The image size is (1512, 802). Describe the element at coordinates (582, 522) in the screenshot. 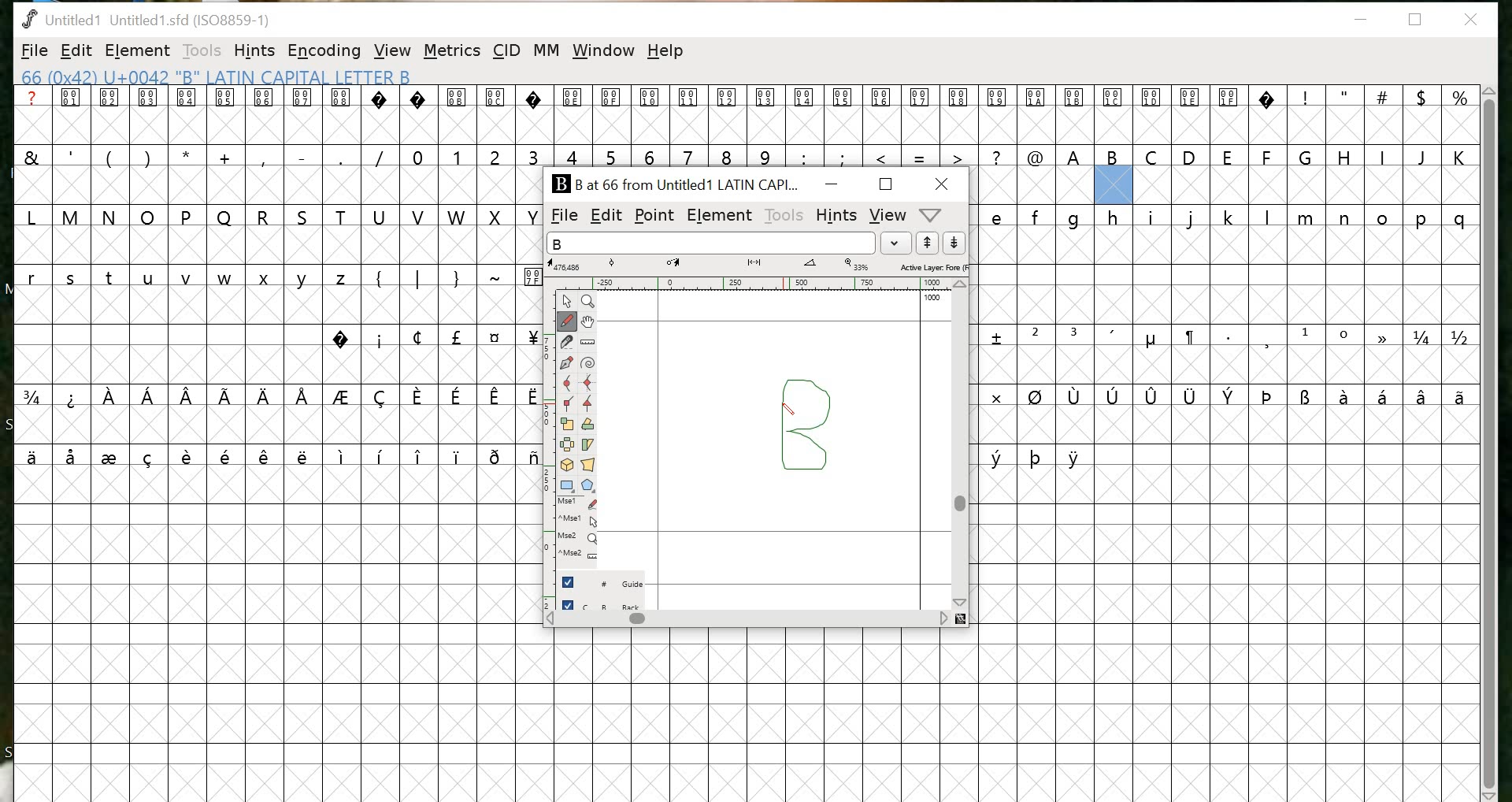

I see `Mouse left button + Ctrl` at that location.